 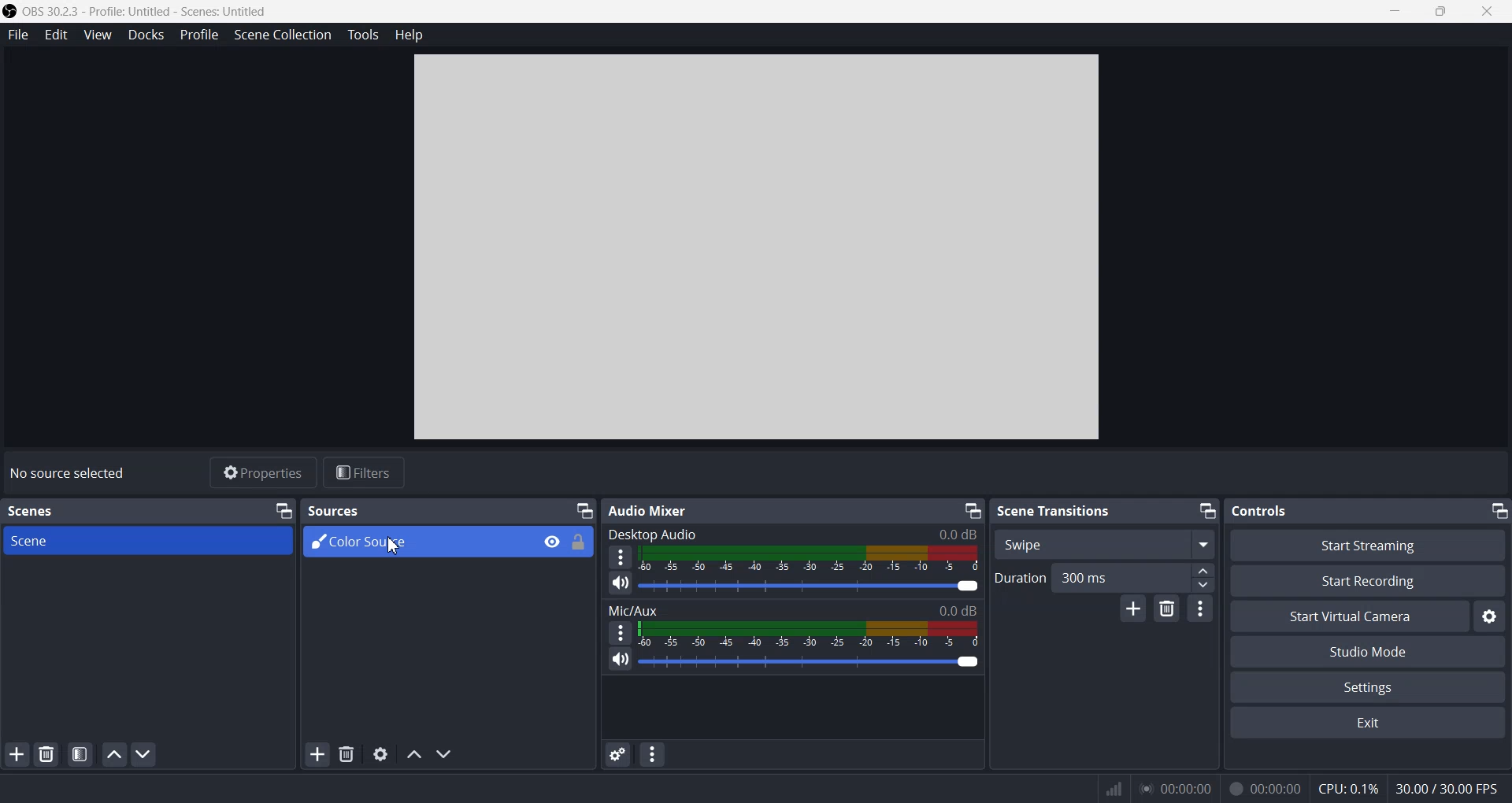 What do you see at coordinates (621, 557) in the screenshot?
I see `More` at bounding box center [621, 557].